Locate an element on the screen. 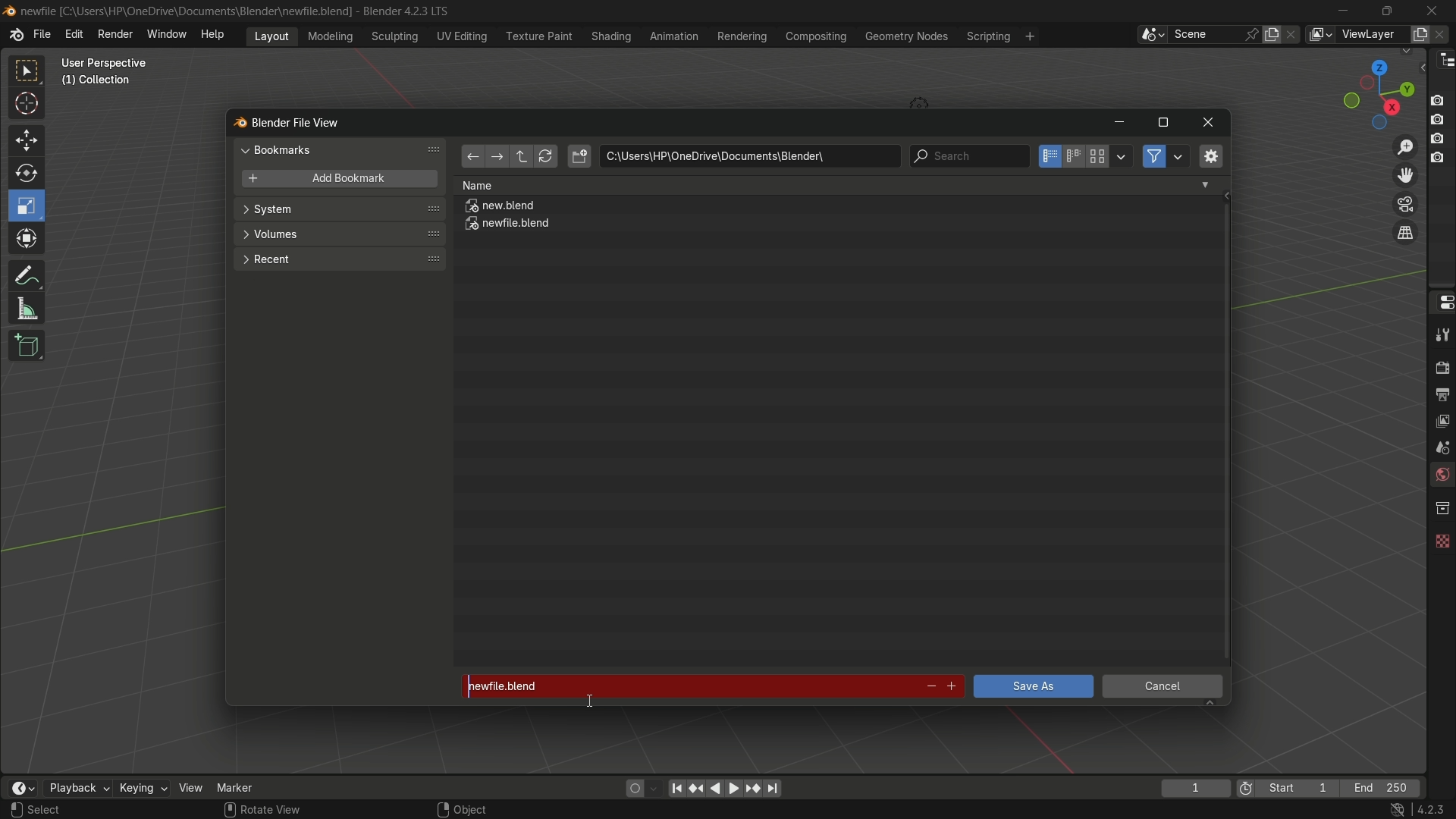 Image resolution: width=1456 pixels, height=819 pixels. output is located at coordinates (1442, 394).